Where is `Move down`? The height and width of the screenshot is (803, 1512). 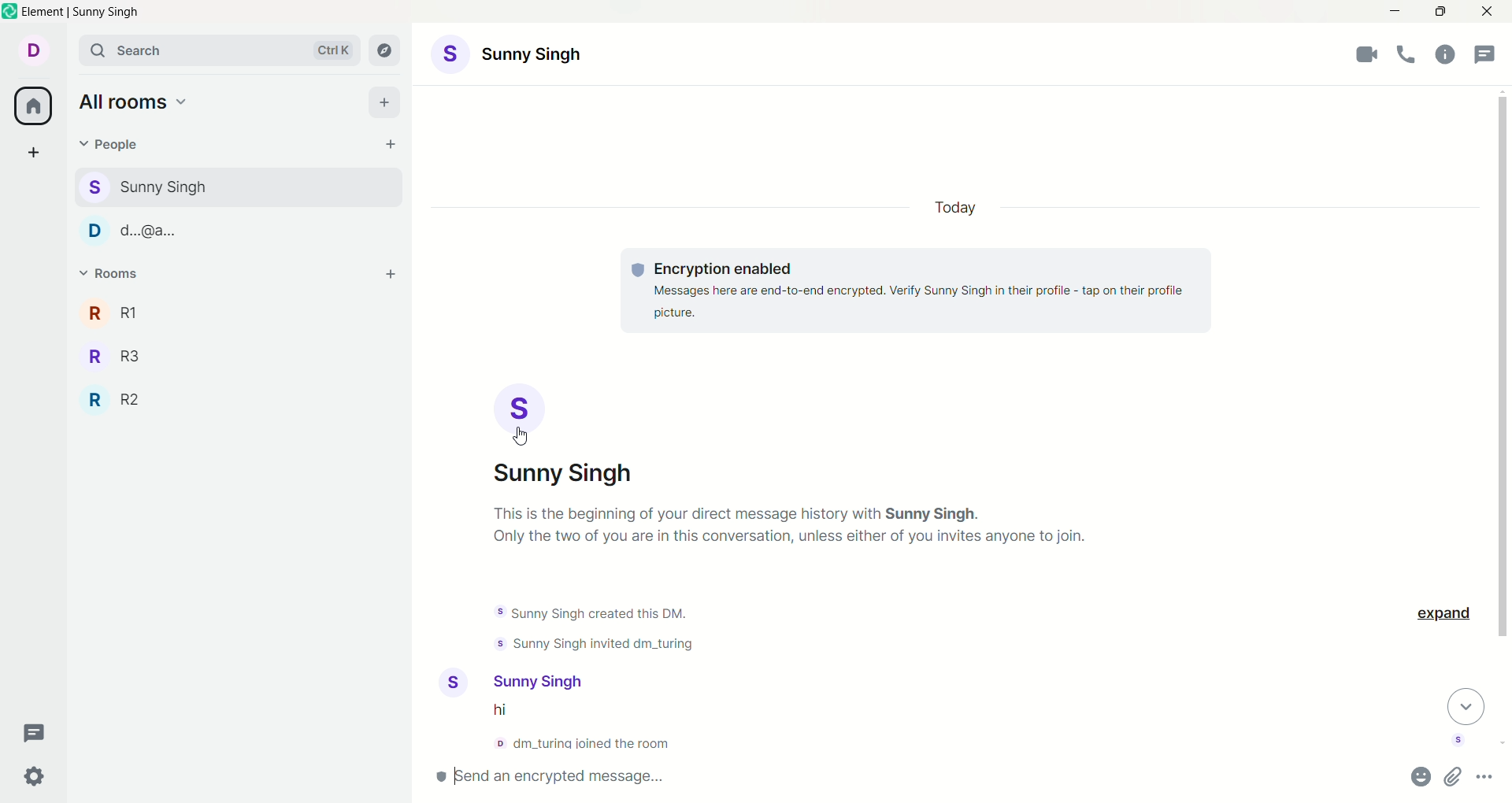
Move down is located at coordinates (1467, 705).